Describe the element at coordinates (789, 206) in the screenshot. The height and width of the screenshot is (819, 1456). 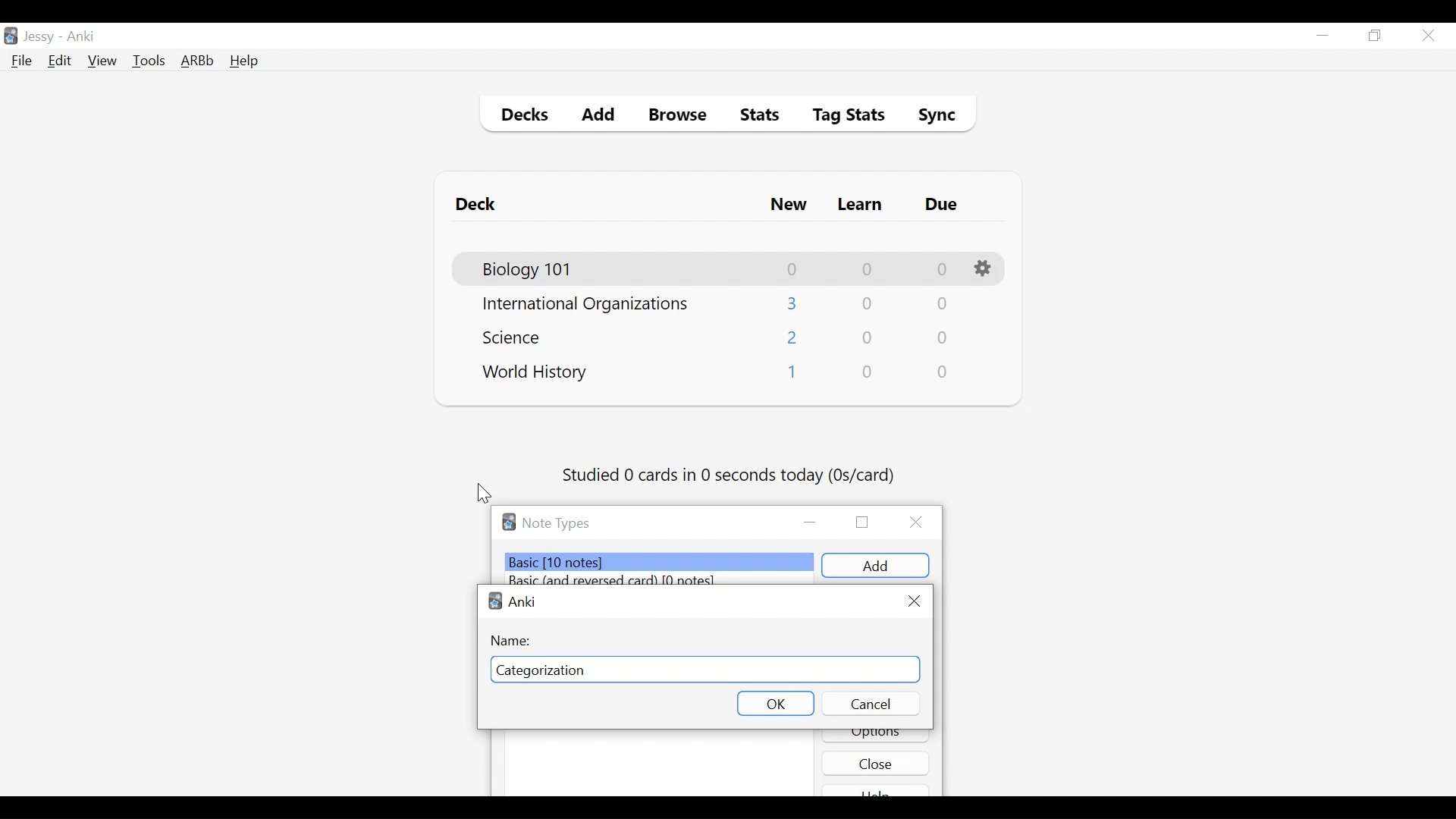
I see `New` at that location.